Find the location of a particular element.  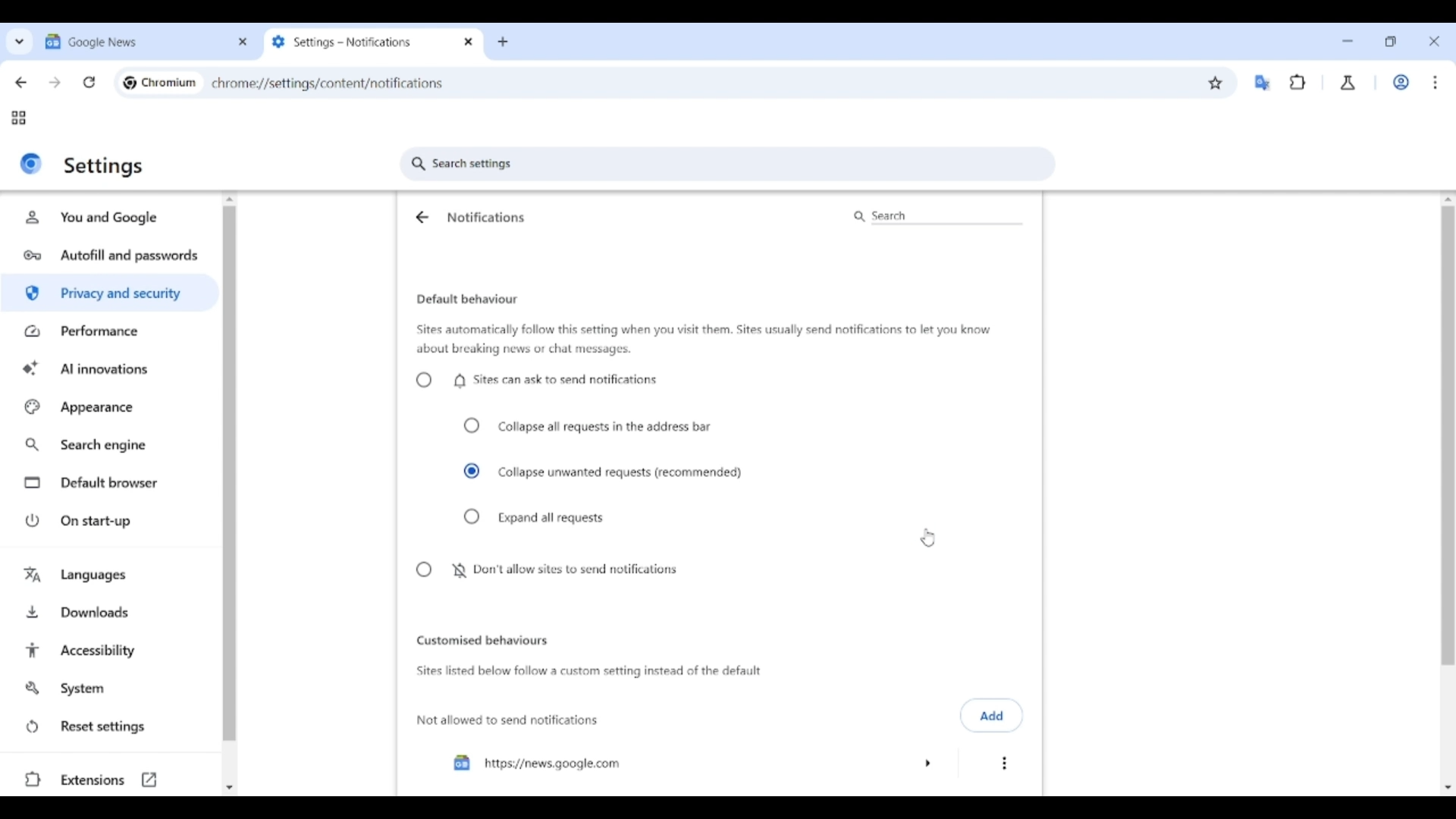

Collapse unwanted requests (recommended) is located at coordinates (604, 472).